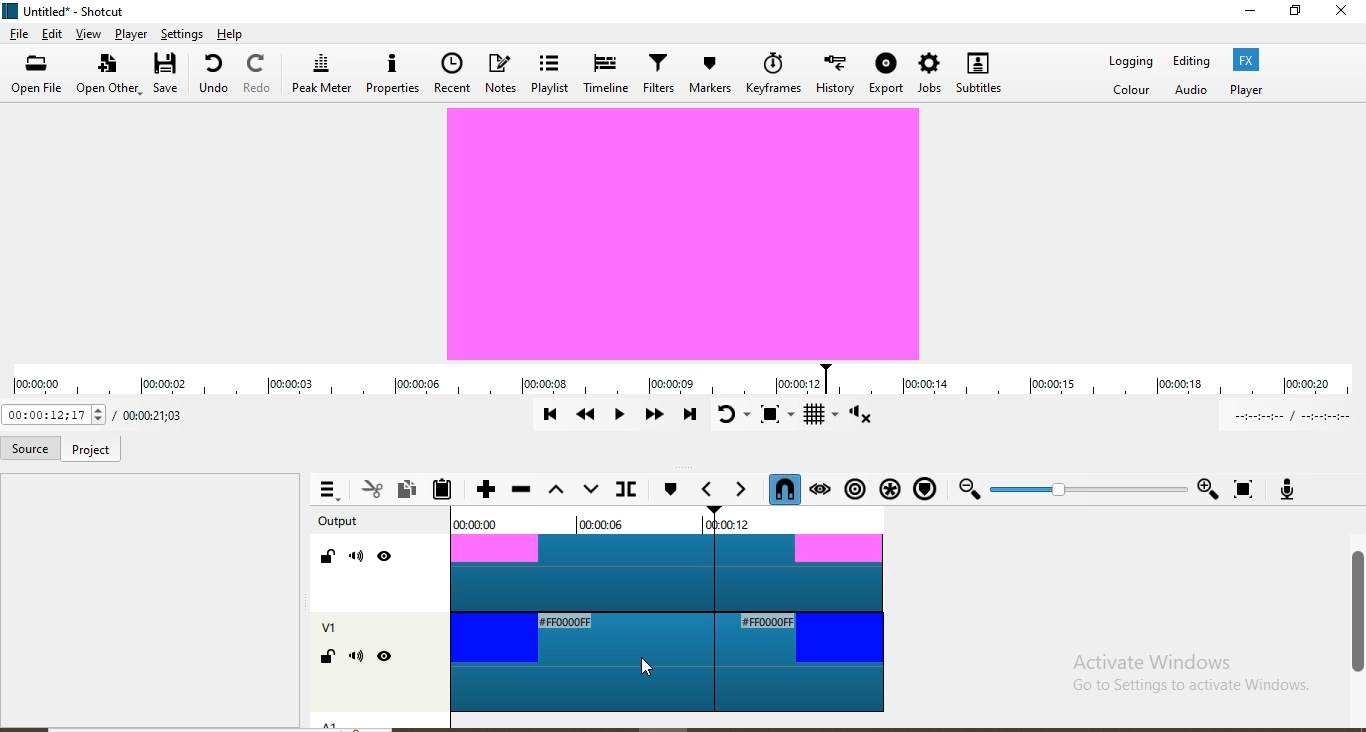 This screenshot has width=1366, height=732. What do you see at coordinates (330, 557) in the screenshot?
I see `Lock` at bounding box center [330, 557].